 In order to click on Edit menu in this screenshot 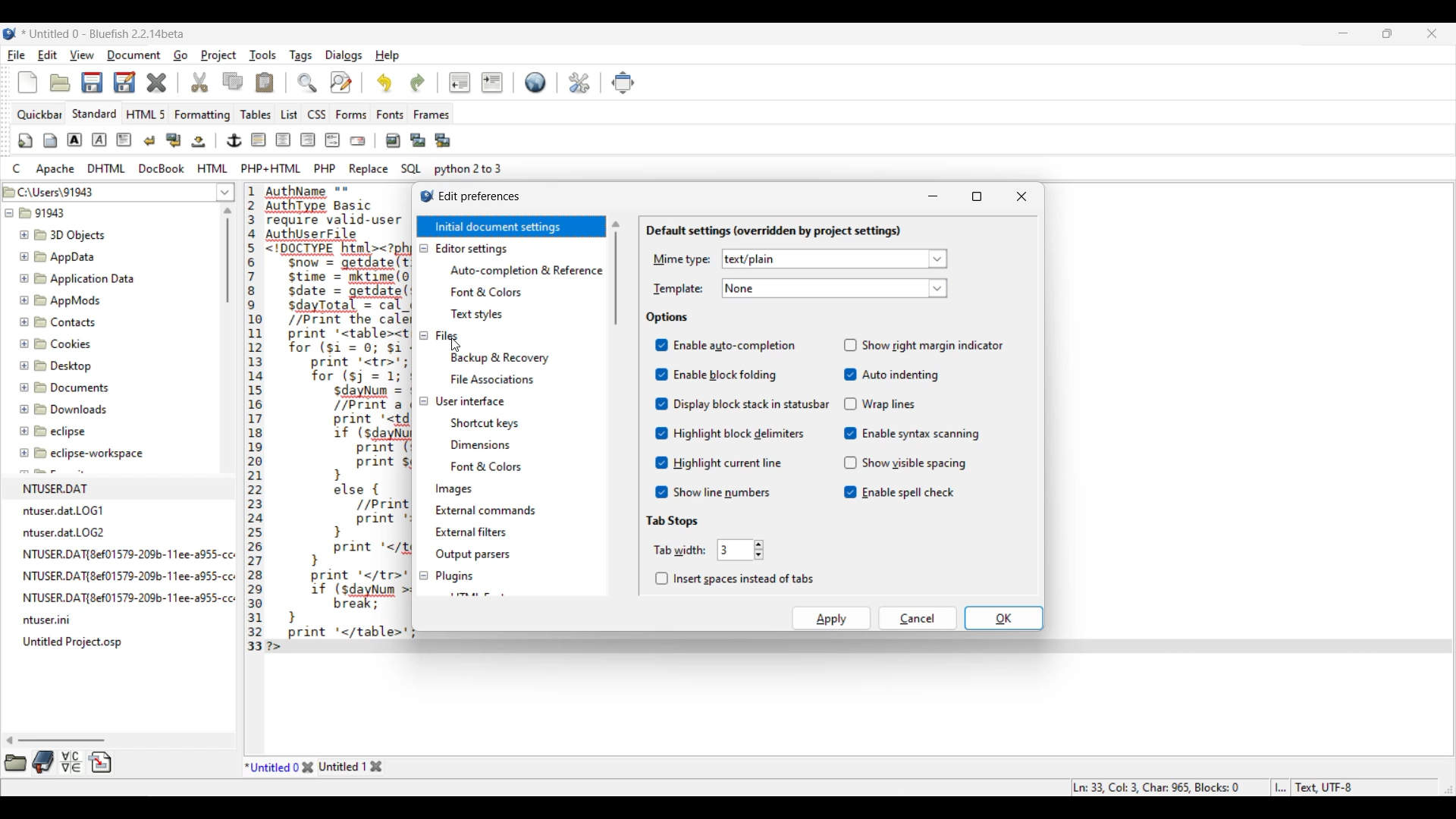, I will do `click(48, 55)`.